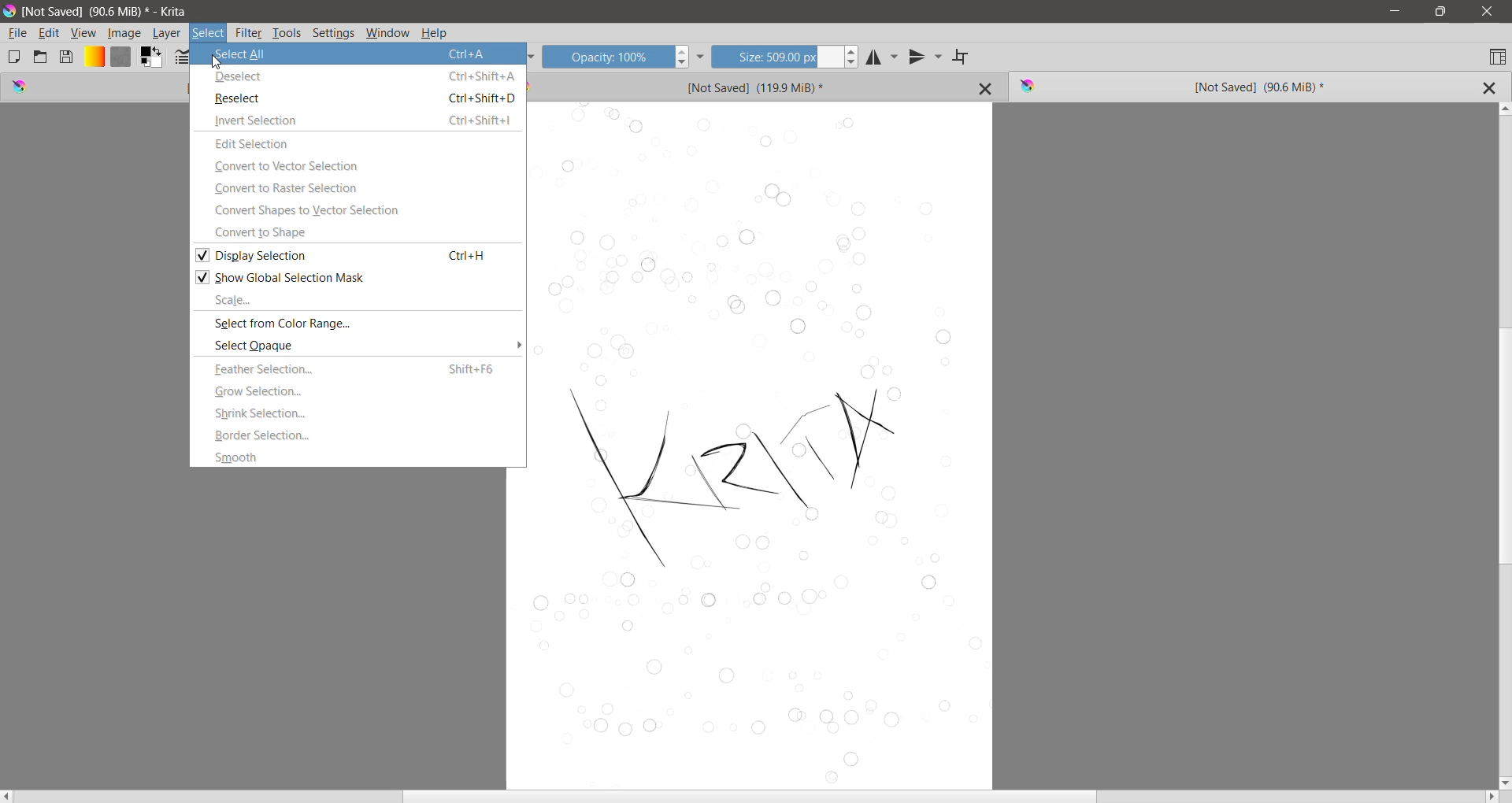 The image size is (1512, 803). I want to click on Open an Existing Document, so click(40, 56).